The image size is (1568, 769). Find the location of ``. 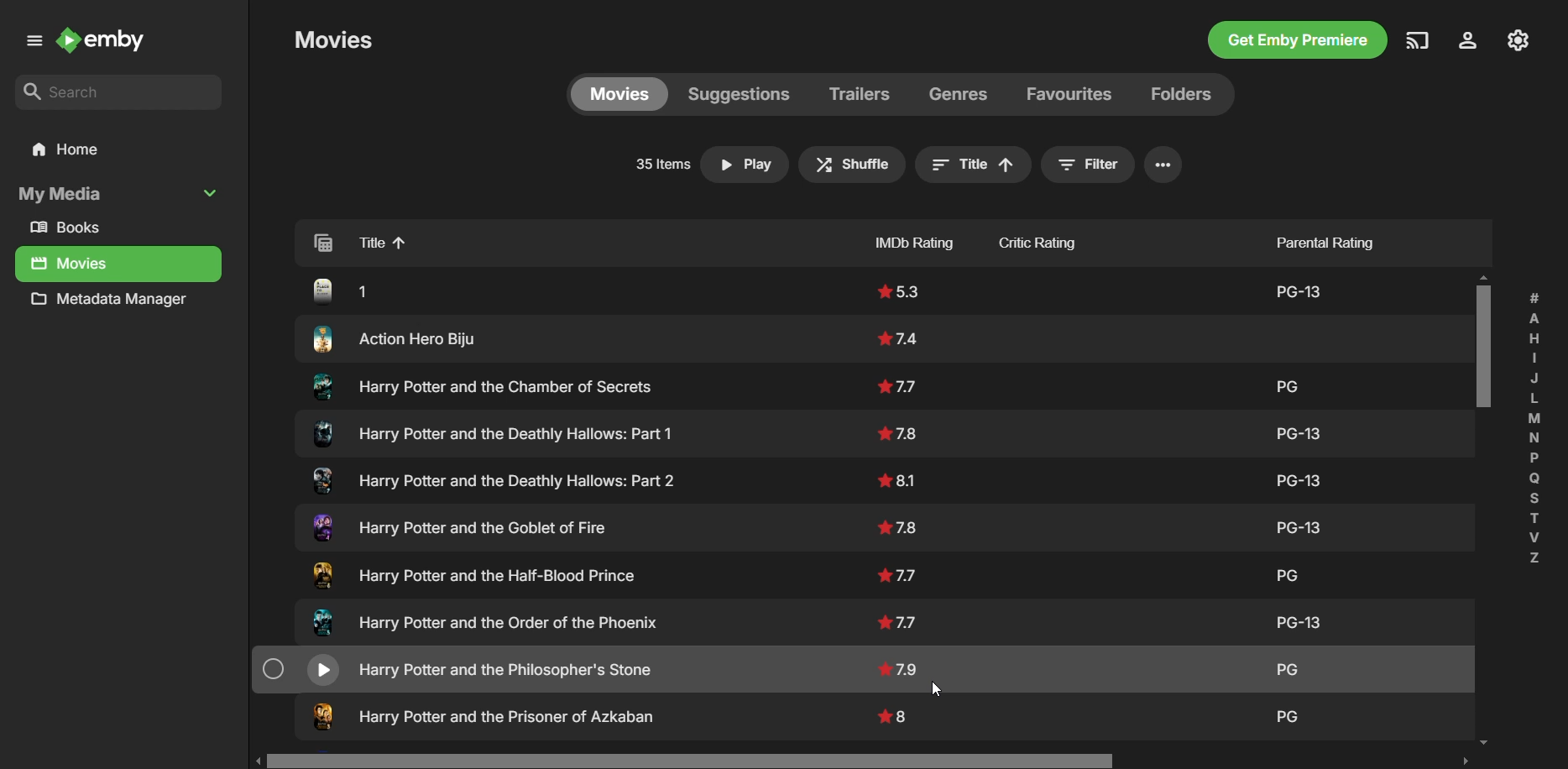

 is located at coordinates (858, 761).